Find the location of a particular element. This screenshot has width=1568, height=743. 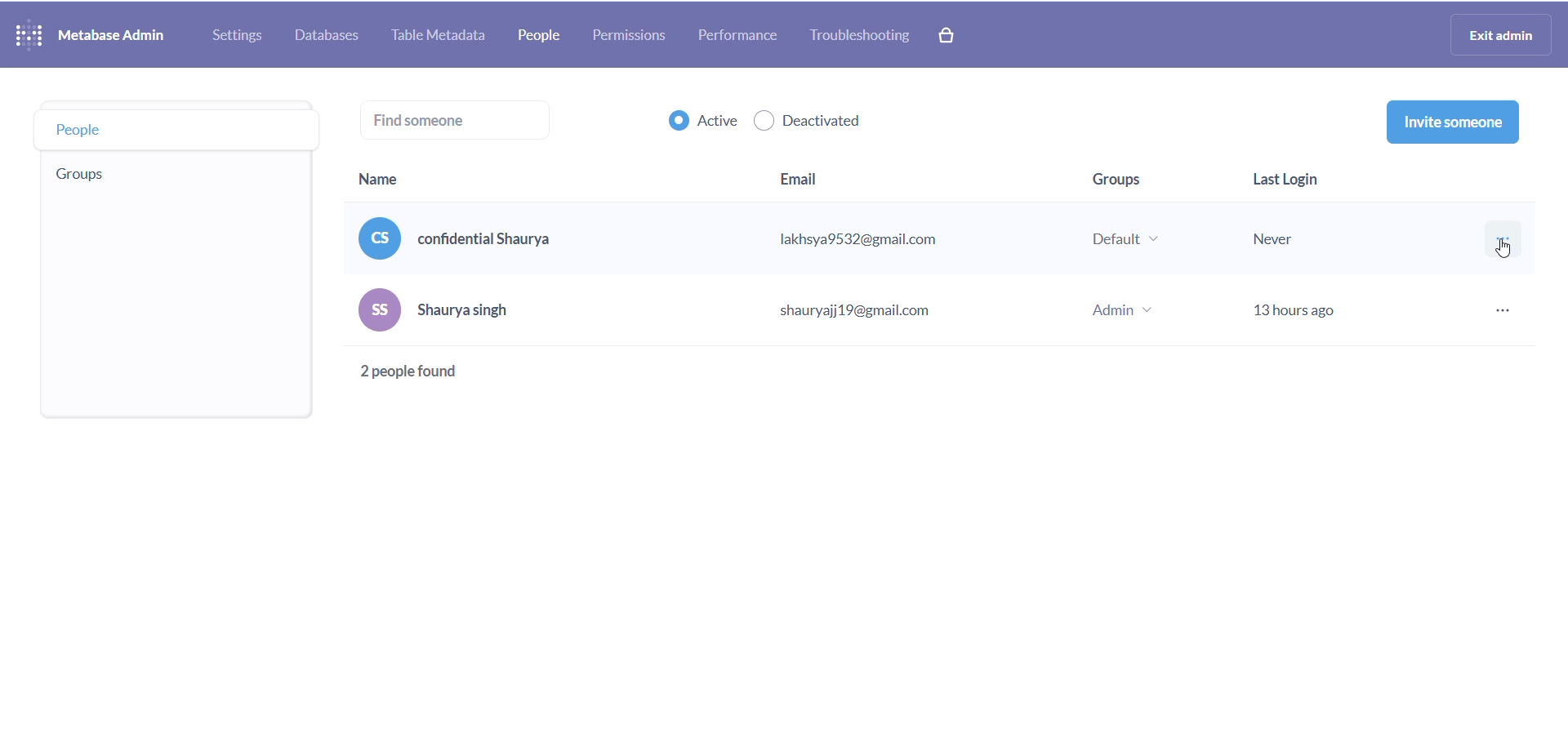

database is located at coordinates (325, 35).